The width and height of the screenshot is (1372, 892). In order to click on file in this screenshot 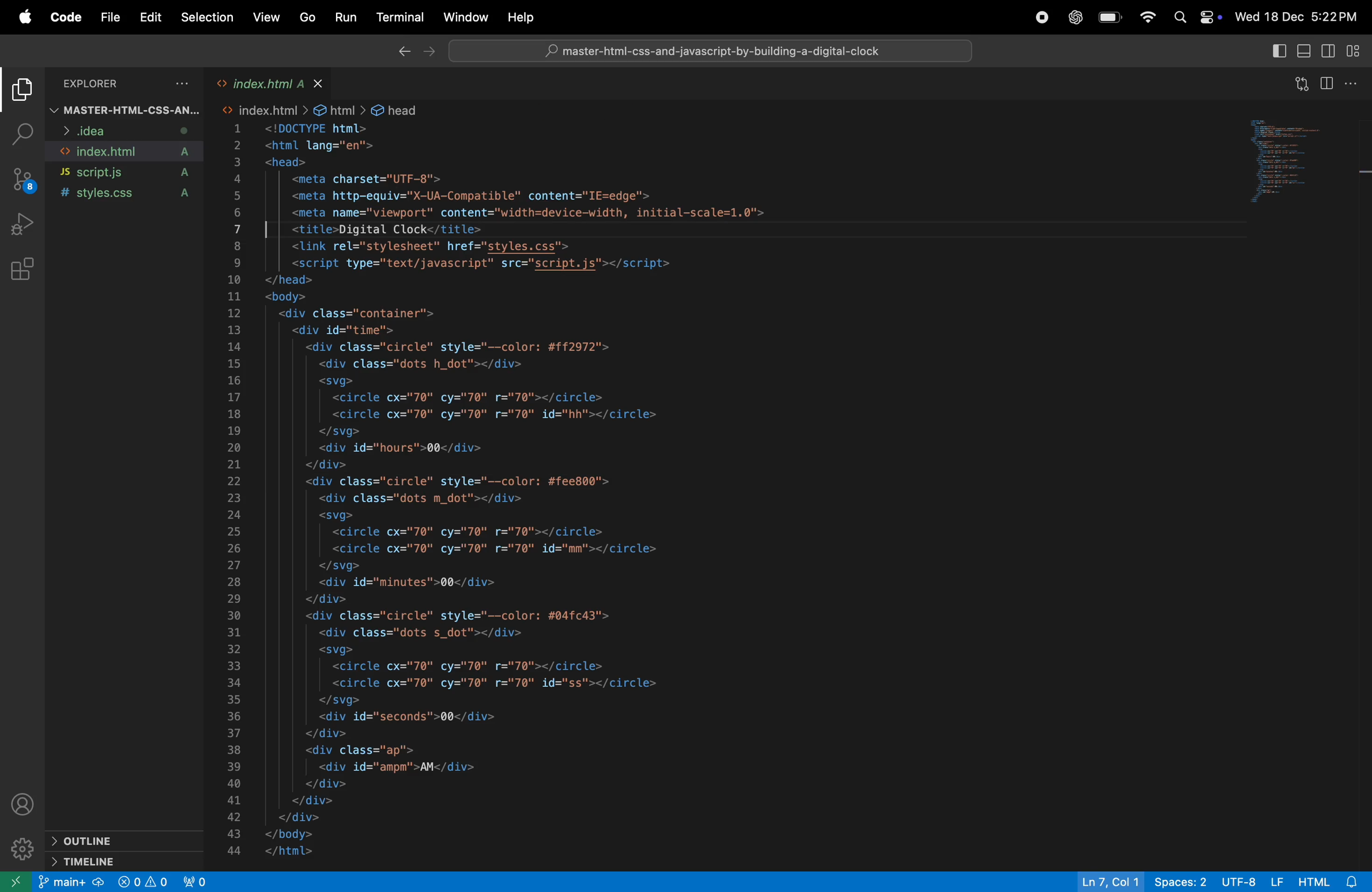, I will do `click(112, 18)`.